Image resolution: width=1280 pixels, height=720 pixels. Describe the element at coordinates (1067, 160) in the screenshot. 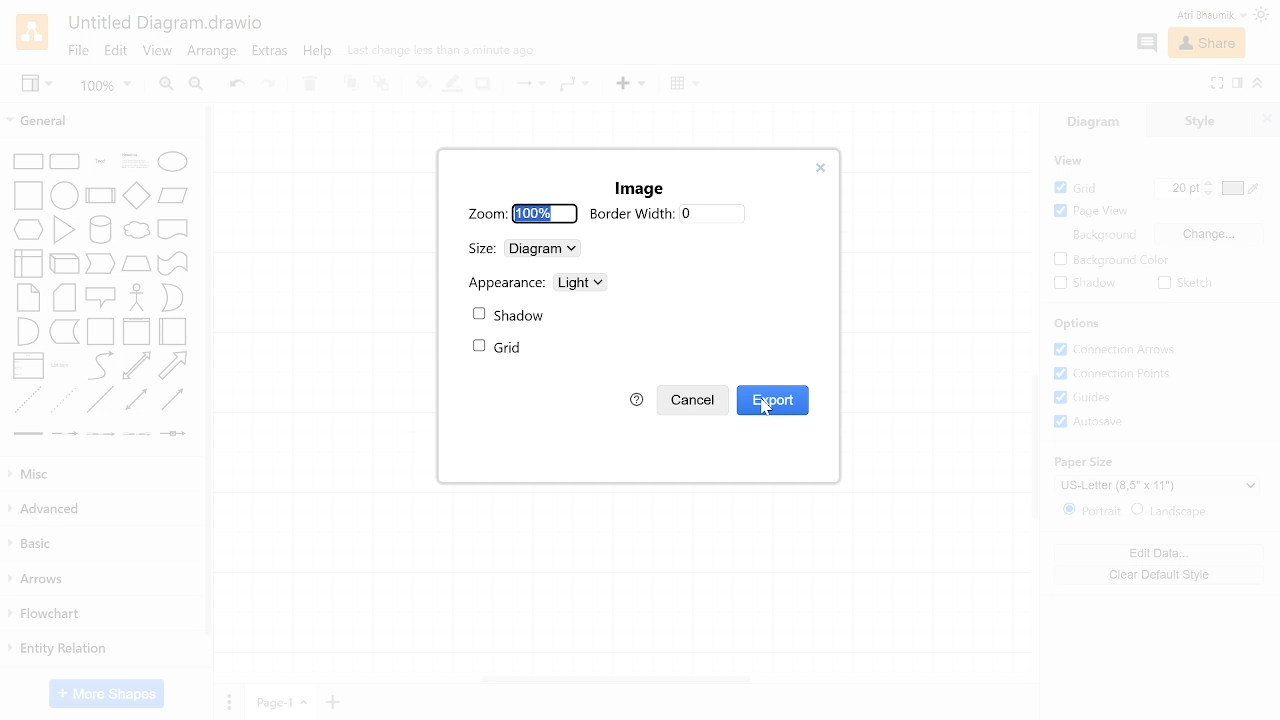

I see `view` at that location.